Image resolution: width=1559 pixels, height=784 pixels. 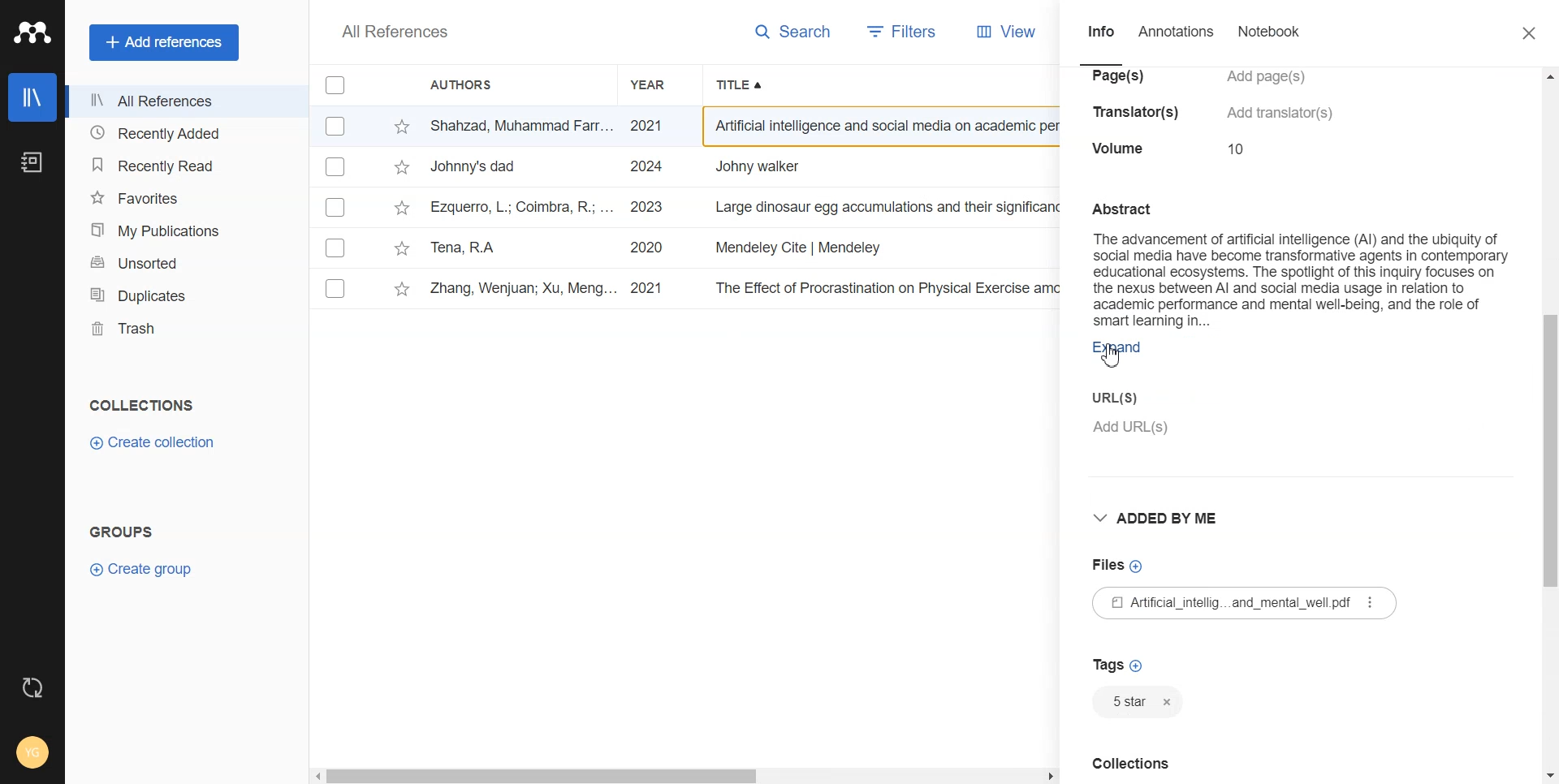 What do you see at coordinates (1168, 701) in the screenshot?
I see `Close` at bounding box center [1168, 701].